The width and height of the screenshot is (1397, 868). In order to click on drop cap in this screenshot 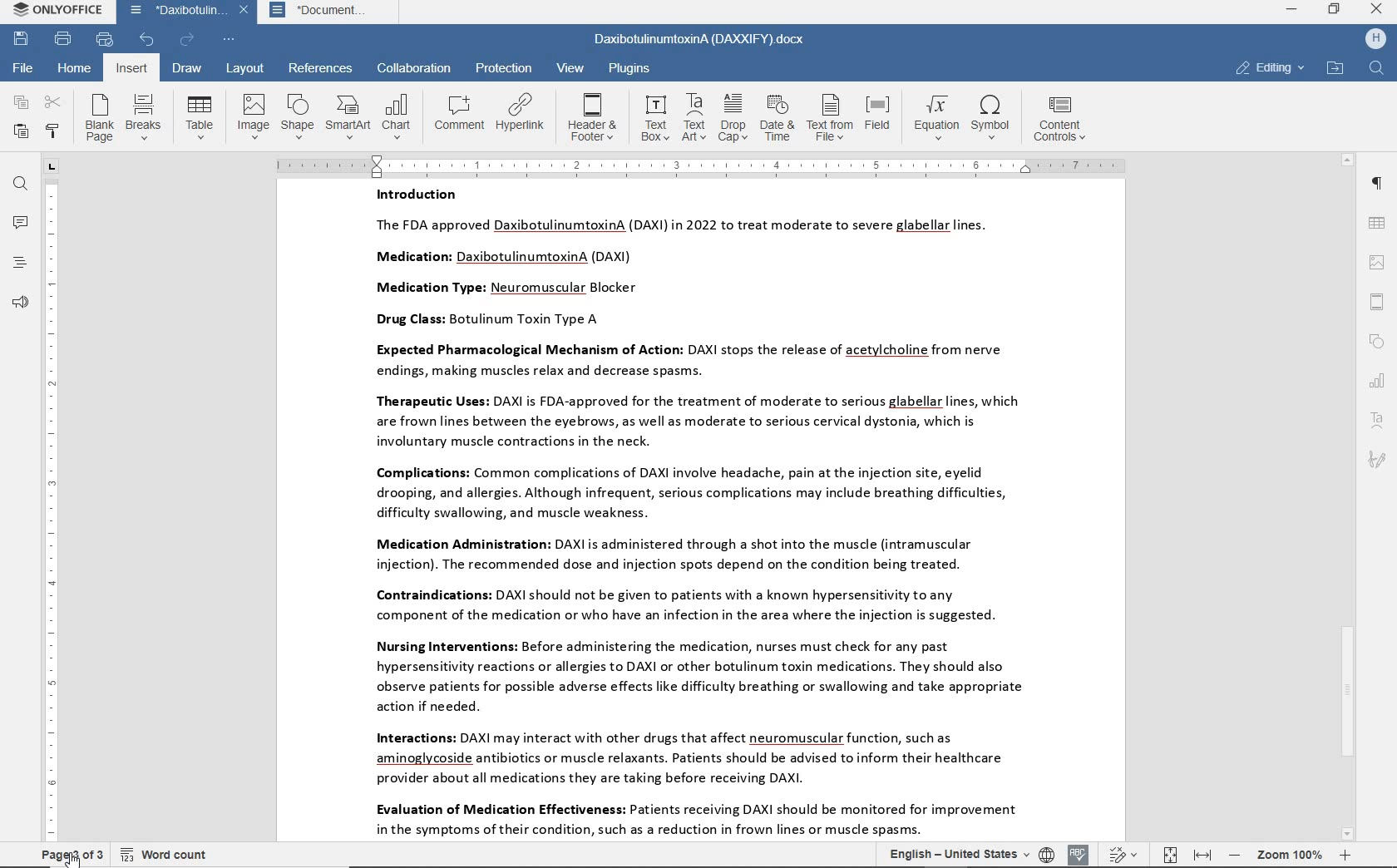, I will do `click(733, 116)`.